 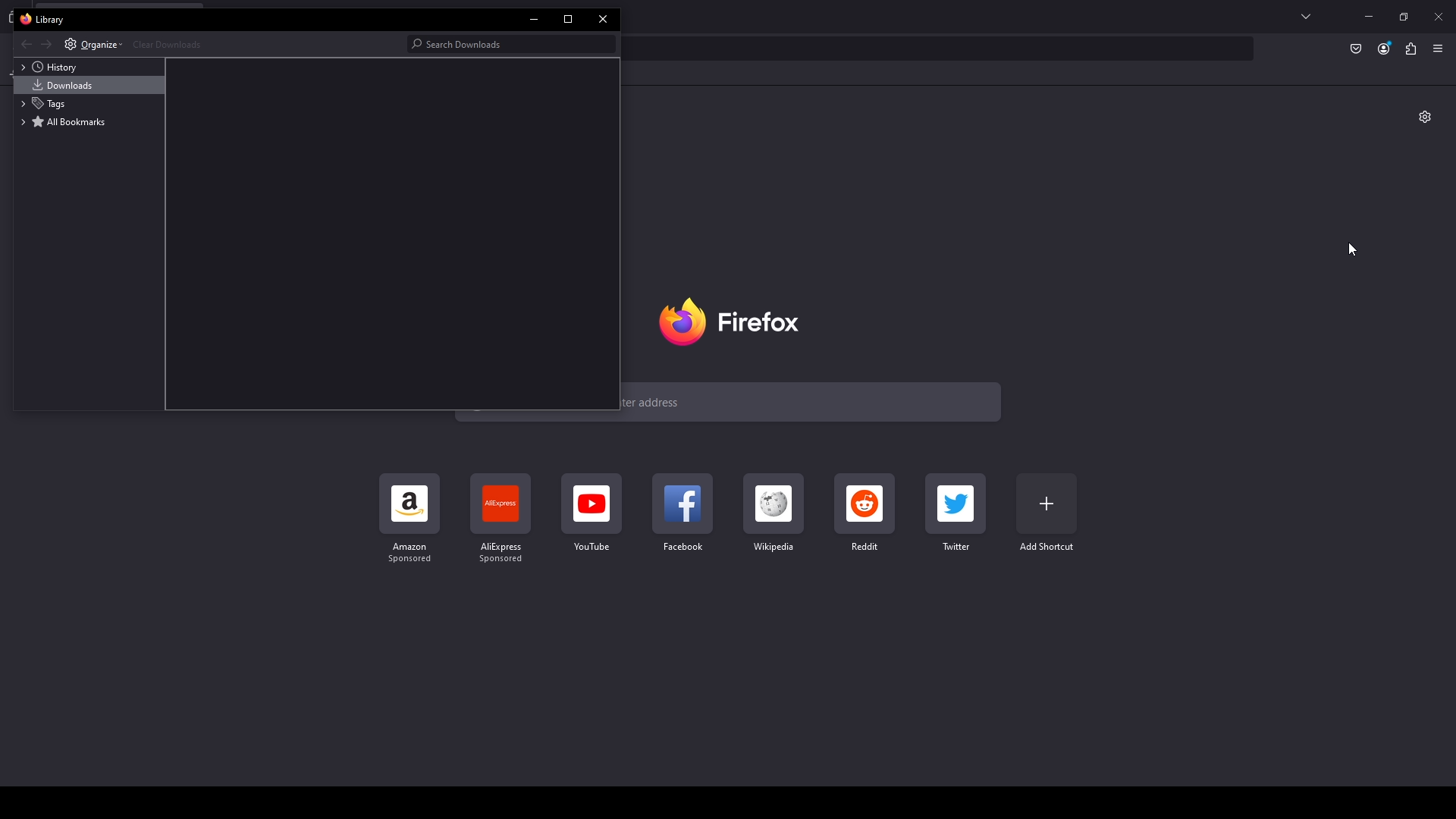 What do you see at coordinates (505, 519) in the screenshot?
I see `Ali express` at bounding box center [505, 519].